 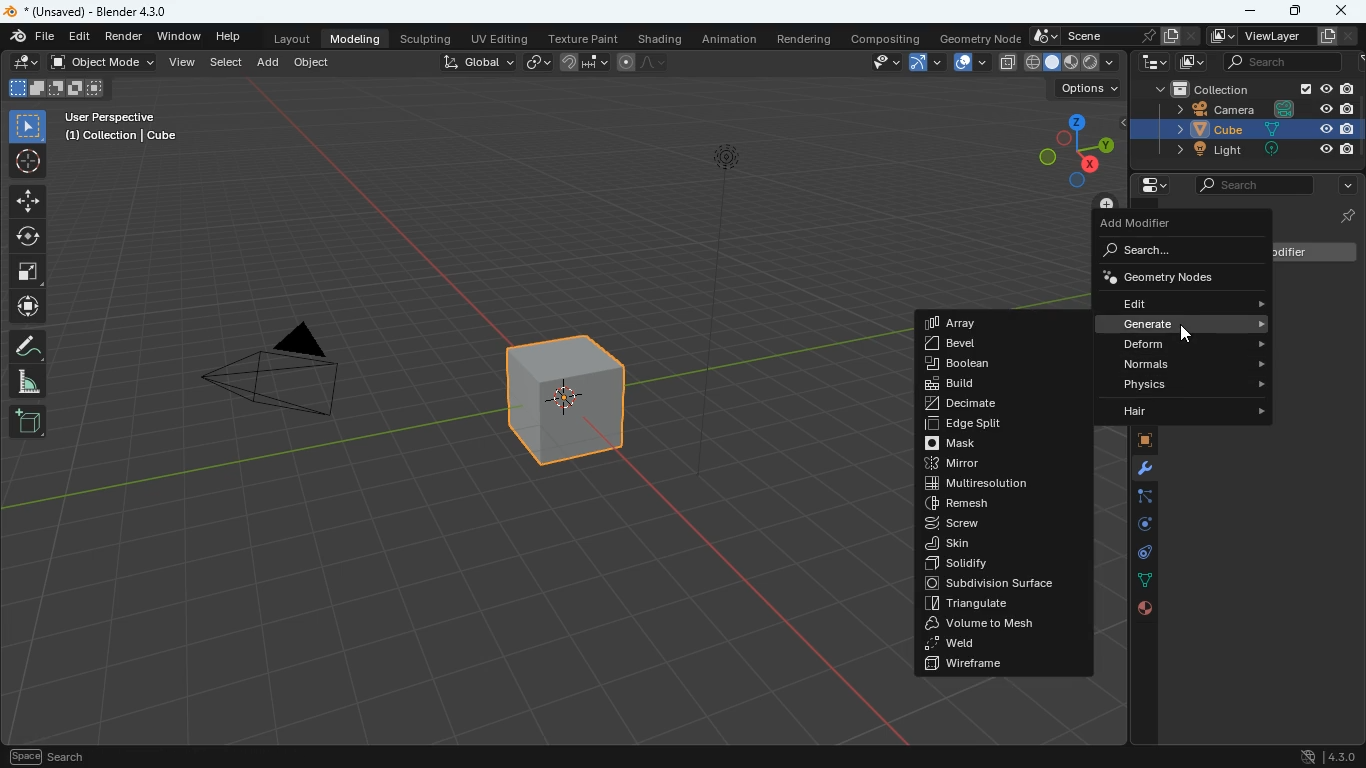 I want to click on overlap, so click(x=966, y=63).